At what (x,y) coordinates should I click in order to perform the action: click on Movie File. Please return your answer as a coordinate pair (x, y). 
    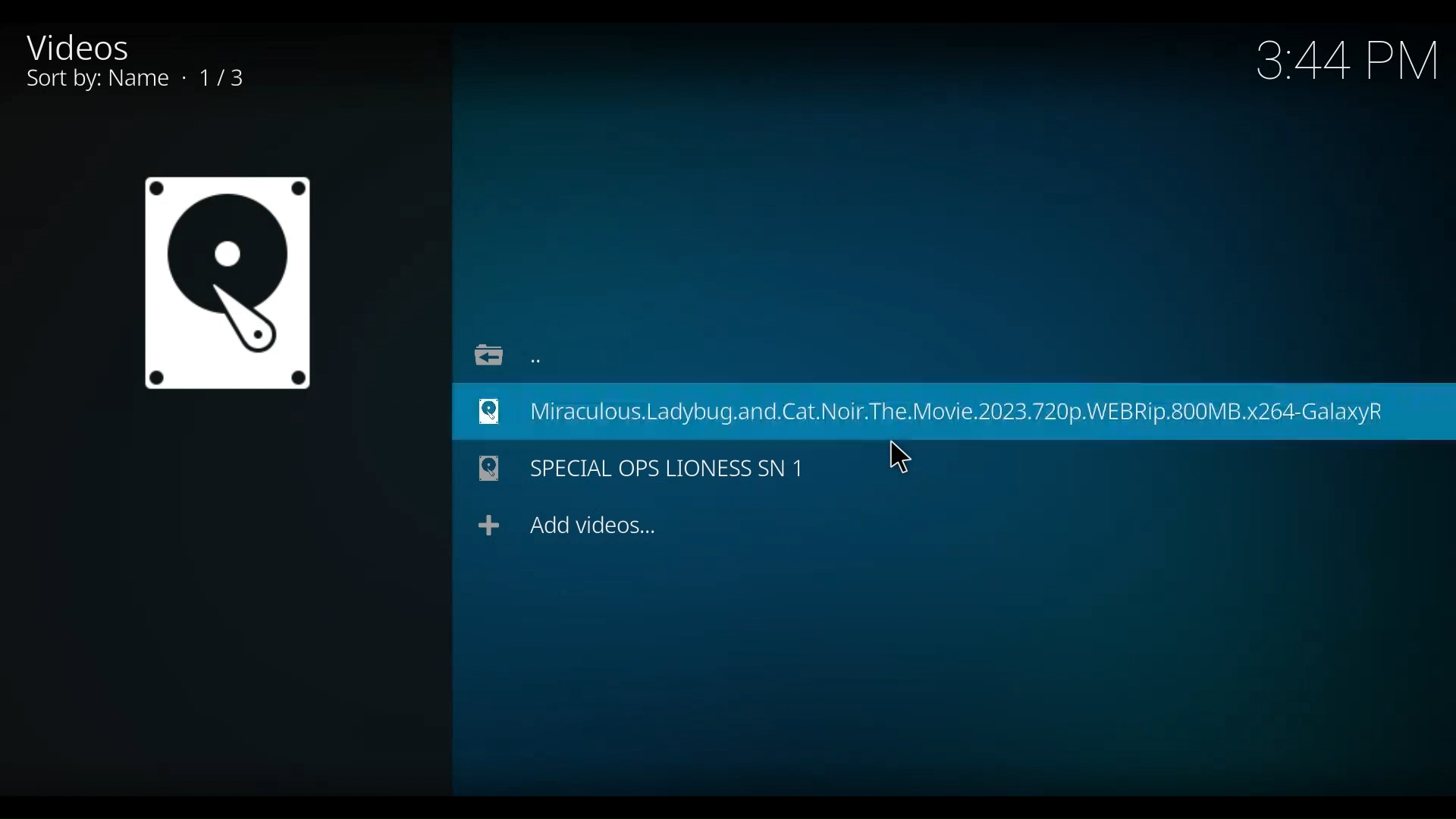
    Looking at the image, I should click on (953, 410).